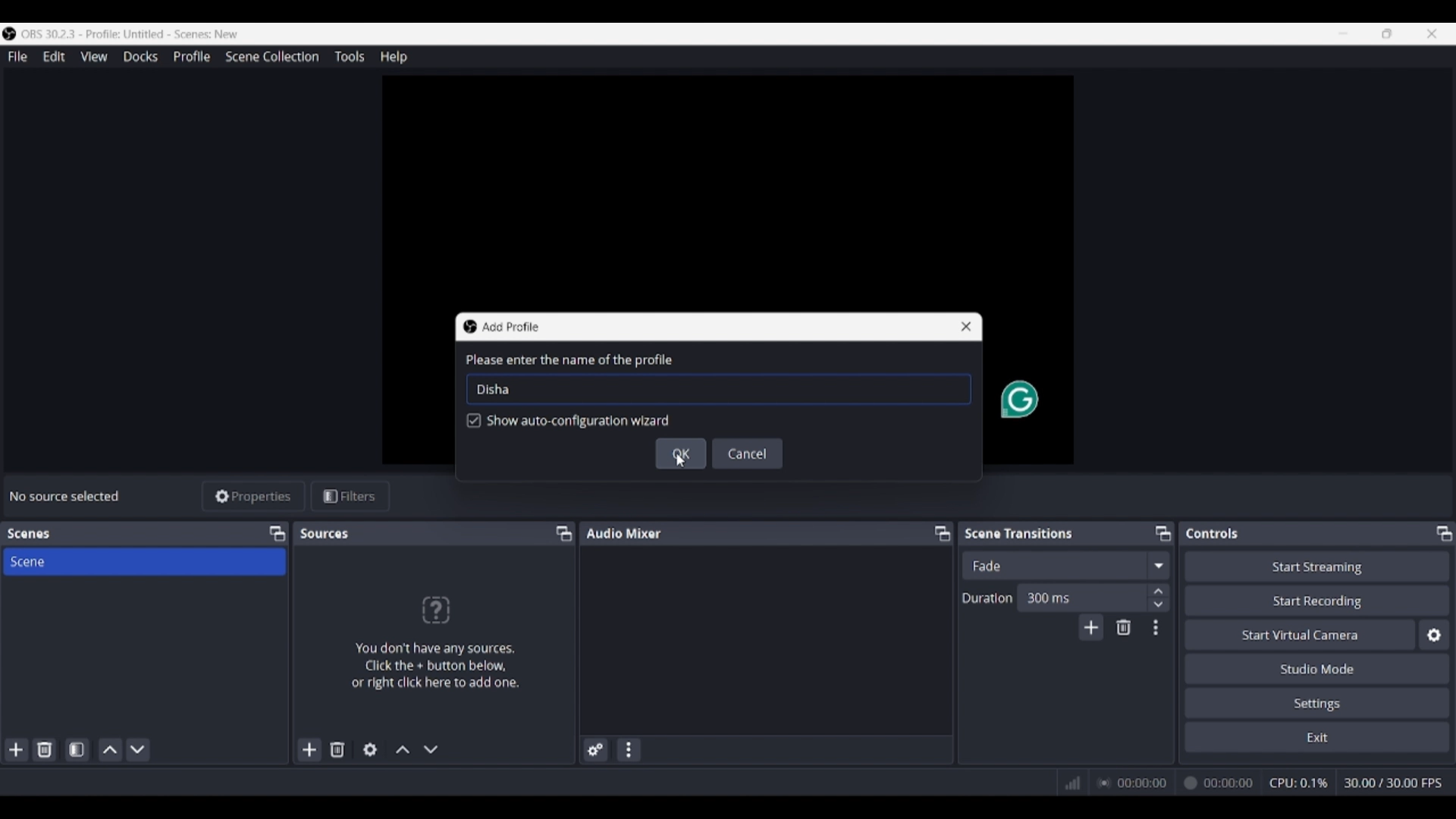 This screenshot has width=1456, height=819. Describe the element at coordinates (1158, 565) in the screenshot. I see `Fade options` at that location.